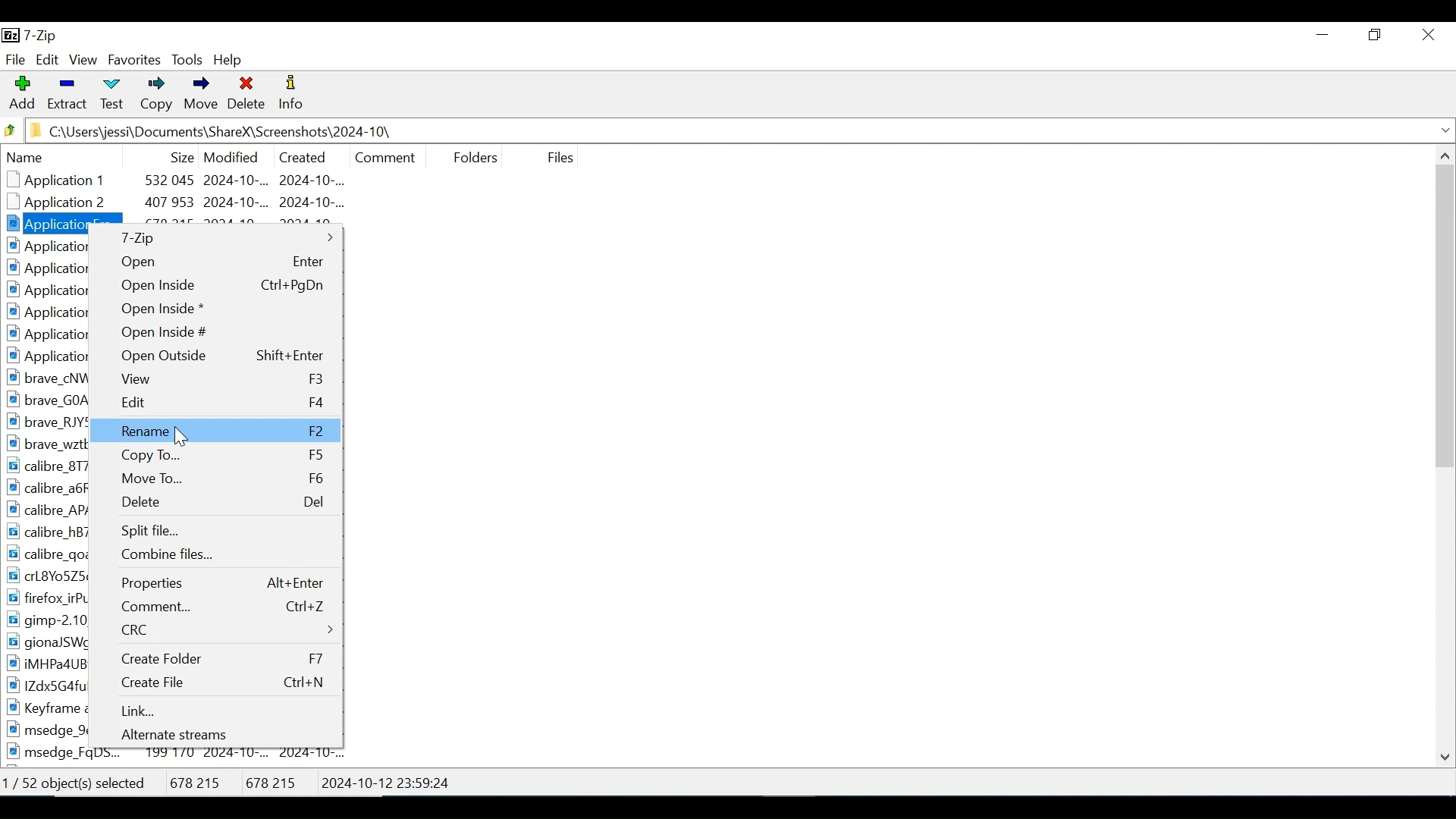 The height and width of the screenshot is (819, 1456). I want to click on 7-Zip Desktop Icon, so click(33, 36).